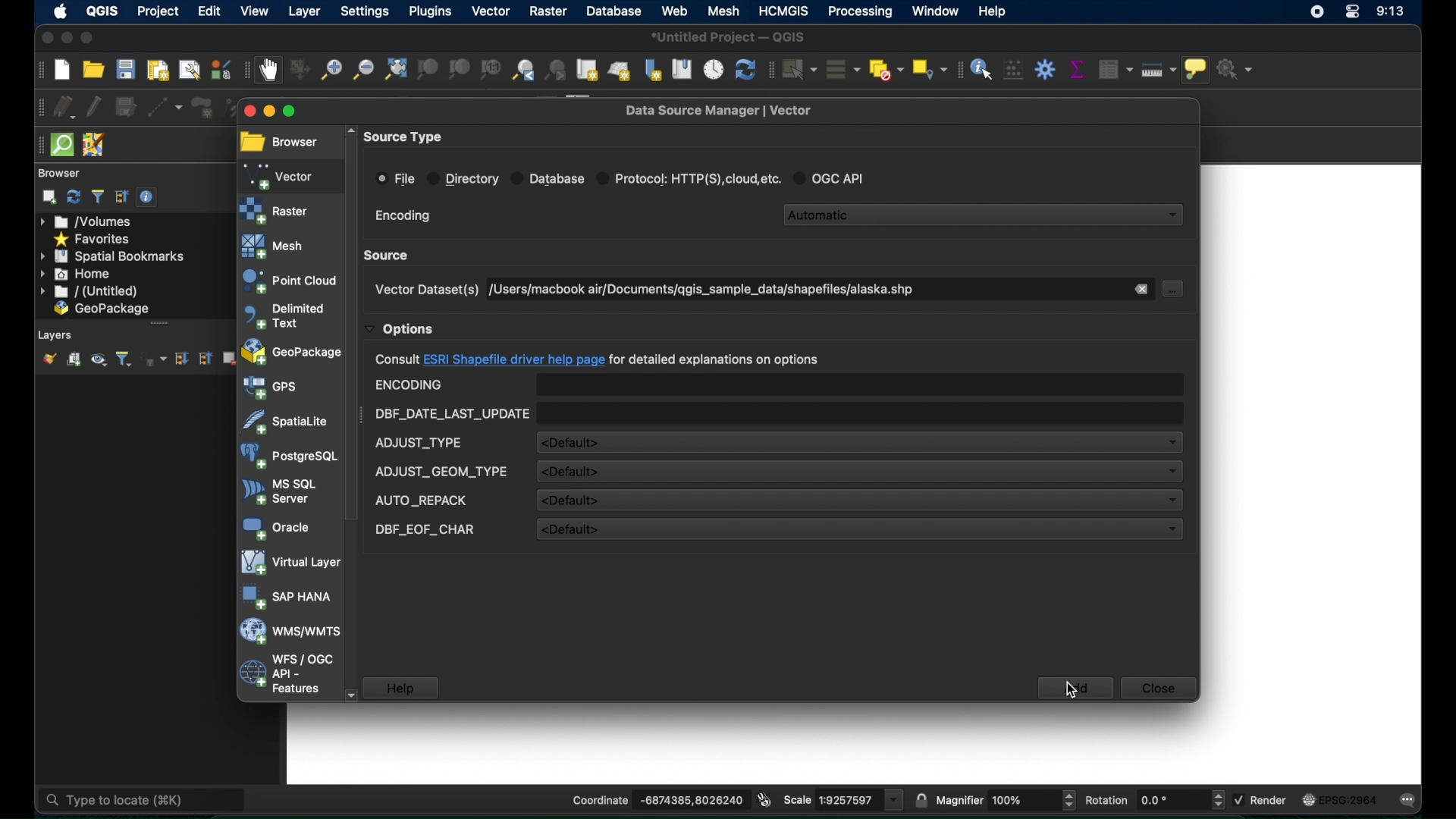  Describe the element at coordinates (1317, 11) in the screenshot. I see `screen recorder icon` at that location.